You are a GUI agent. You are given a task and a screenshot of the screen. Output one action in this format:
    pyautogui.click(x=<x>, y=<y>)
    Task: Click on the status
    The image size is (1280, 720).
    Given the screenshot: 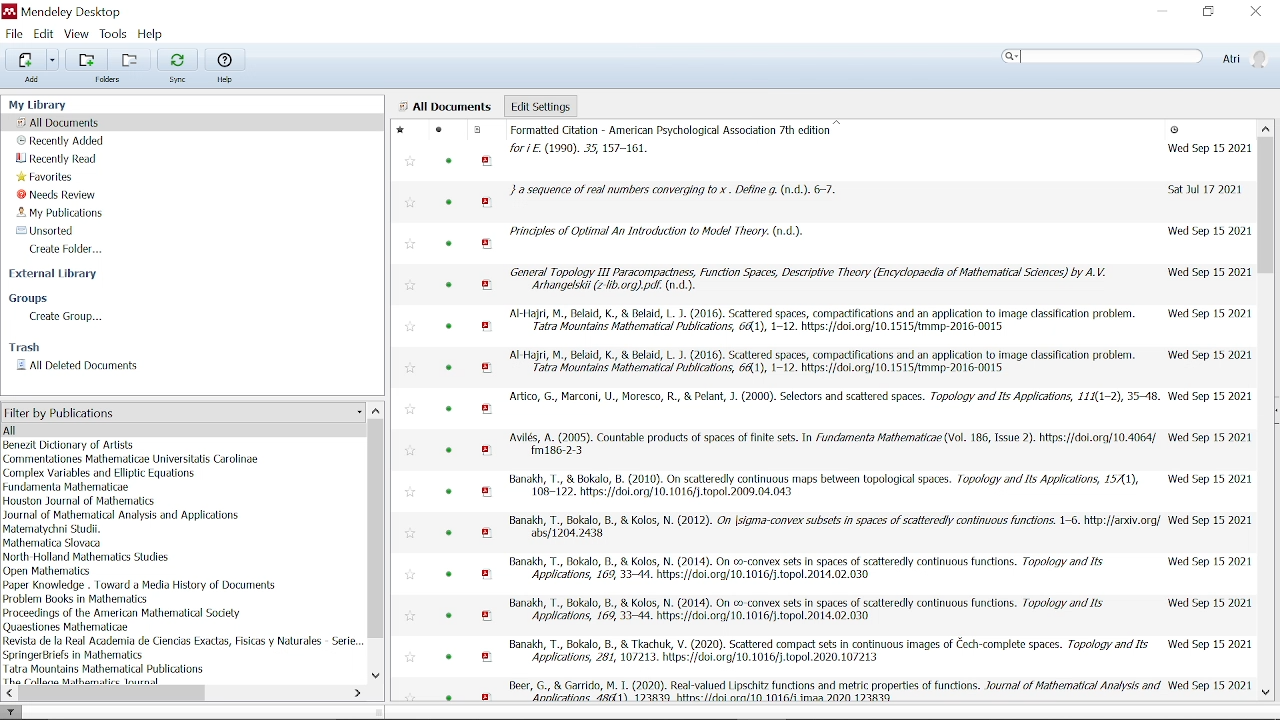 What is the action you would take?
    pyautogui.click(x=452, y=575)
    